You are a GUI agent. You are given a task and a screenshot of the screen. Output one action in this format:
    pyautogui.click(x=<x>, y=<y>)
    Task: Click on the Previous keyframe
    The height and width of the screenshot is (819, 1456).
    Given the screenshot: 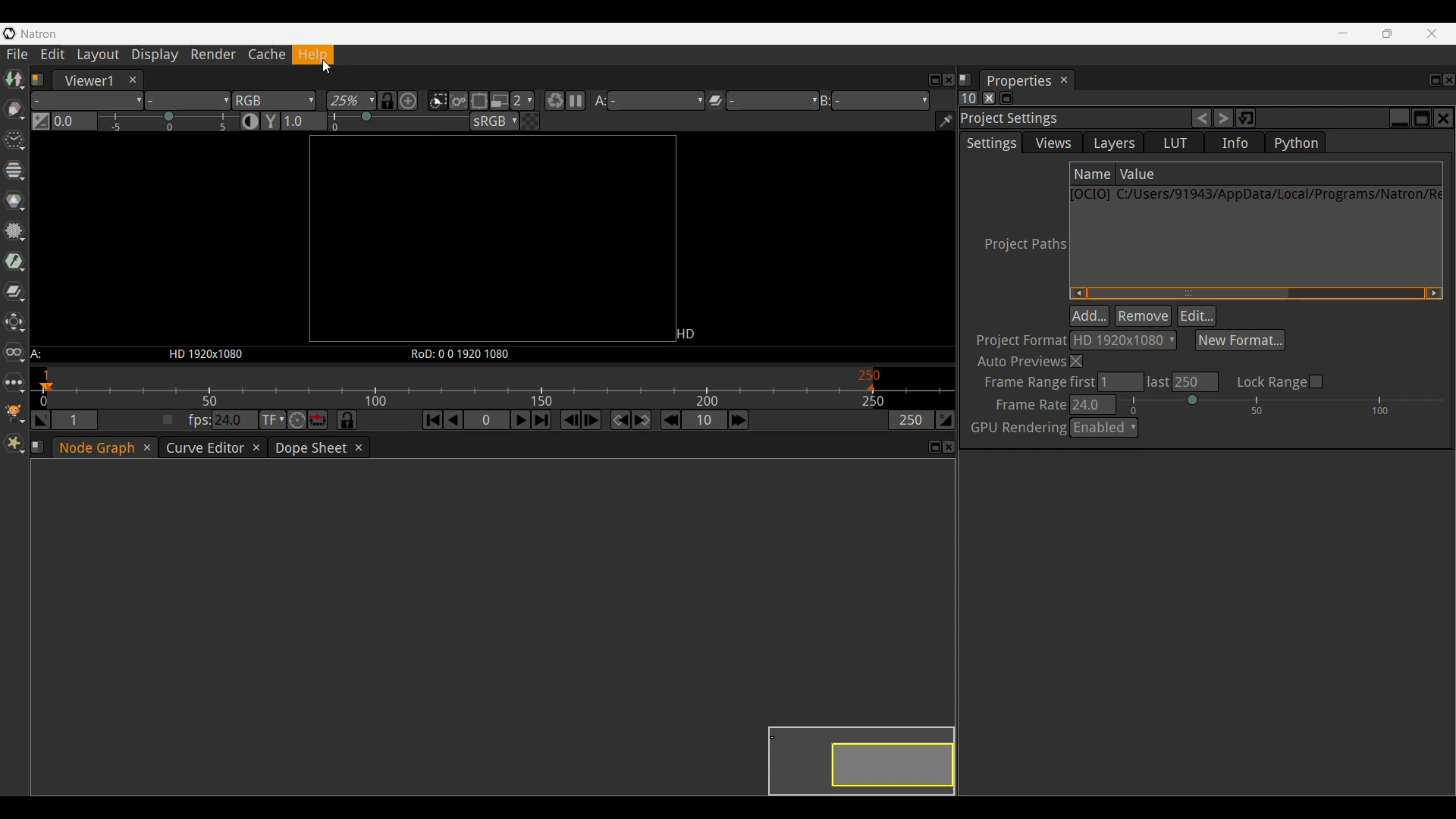 What is the action you would take?
    pyautogui.click(x=621, y=419)
    